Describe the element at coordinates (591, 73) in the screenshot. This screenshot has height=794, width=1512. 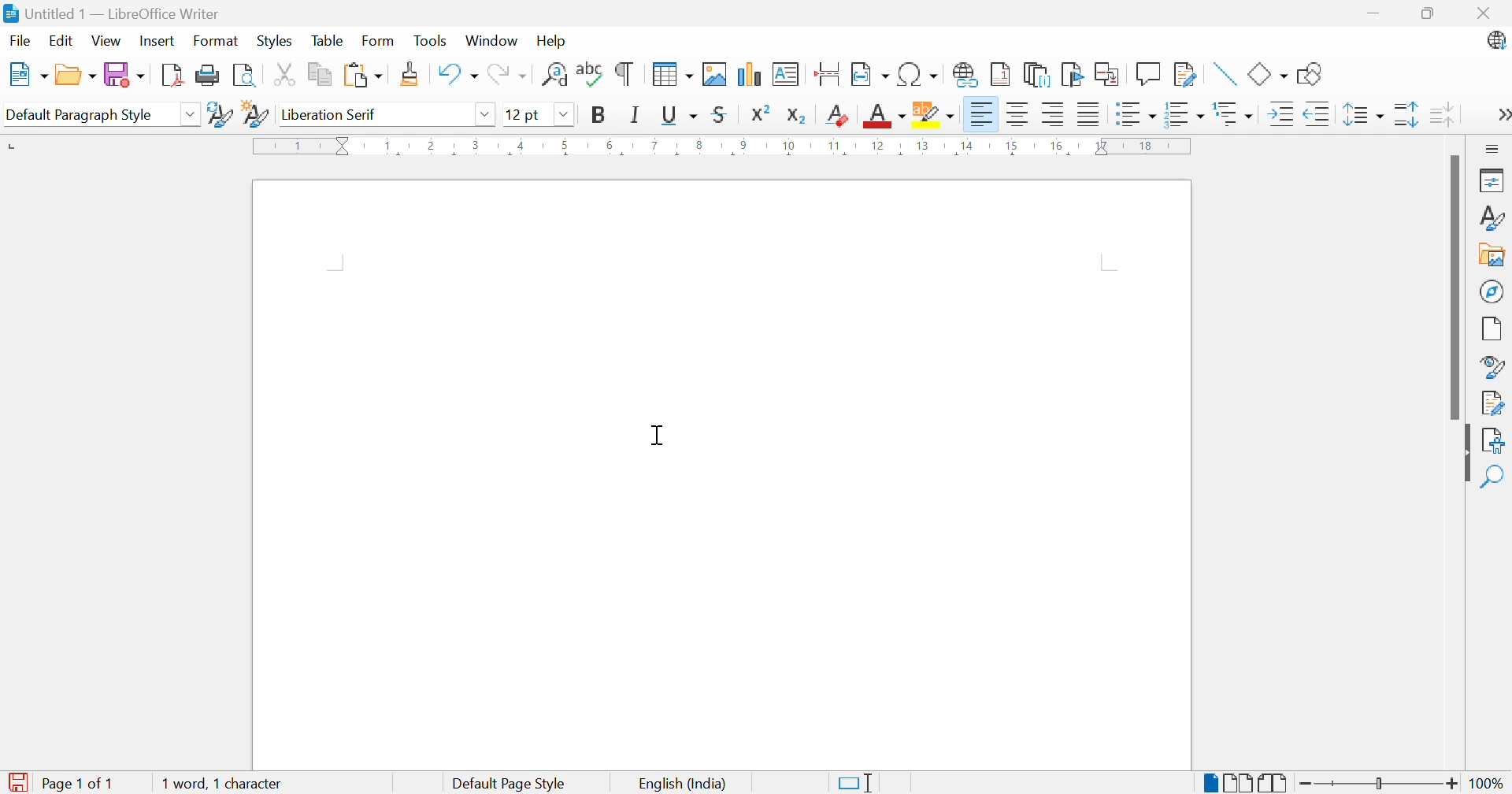
I see `Check spelling` at that location.